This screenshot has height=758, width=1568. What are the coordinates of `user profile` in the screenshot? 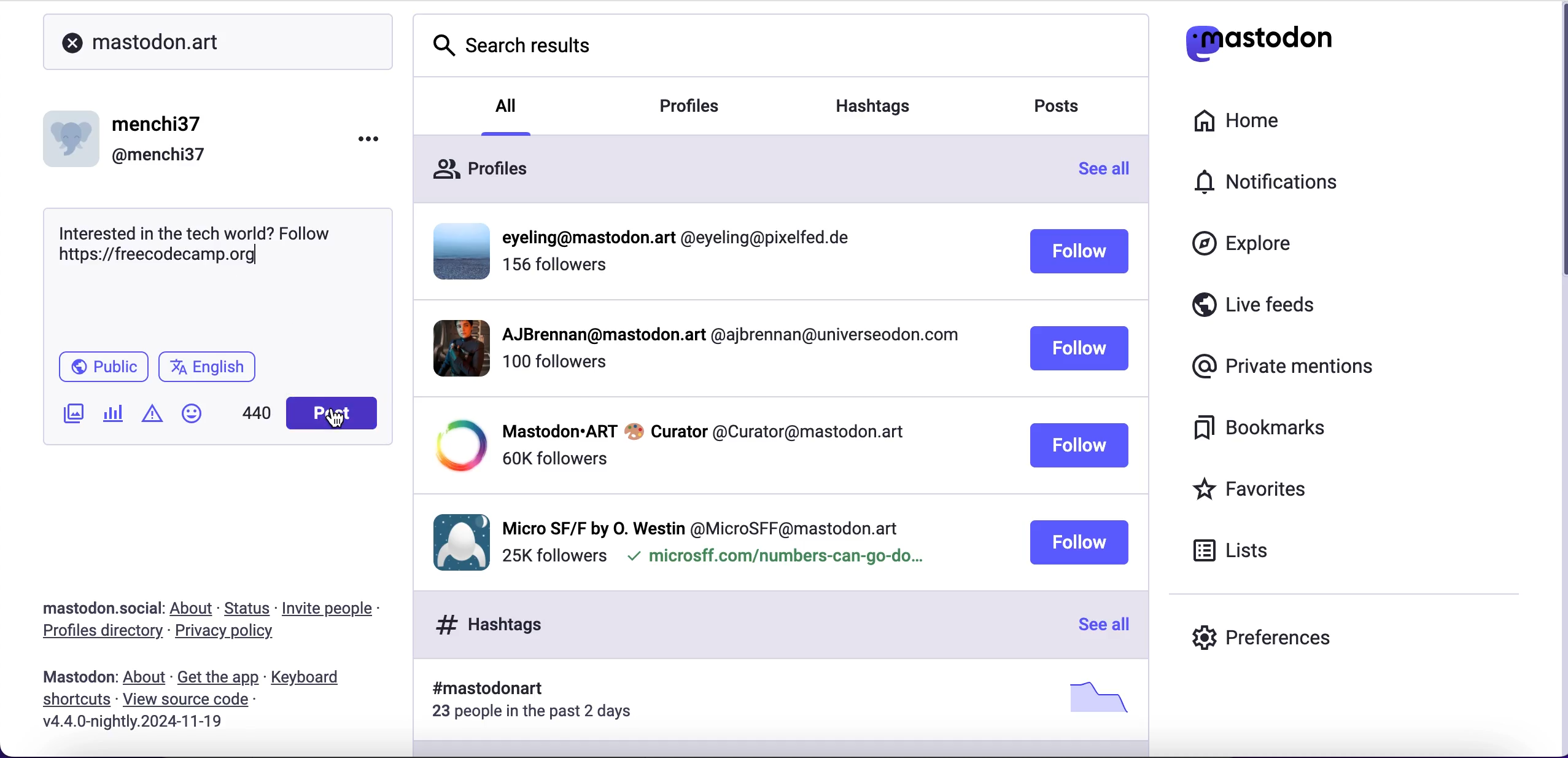 It's located at (725, 445).